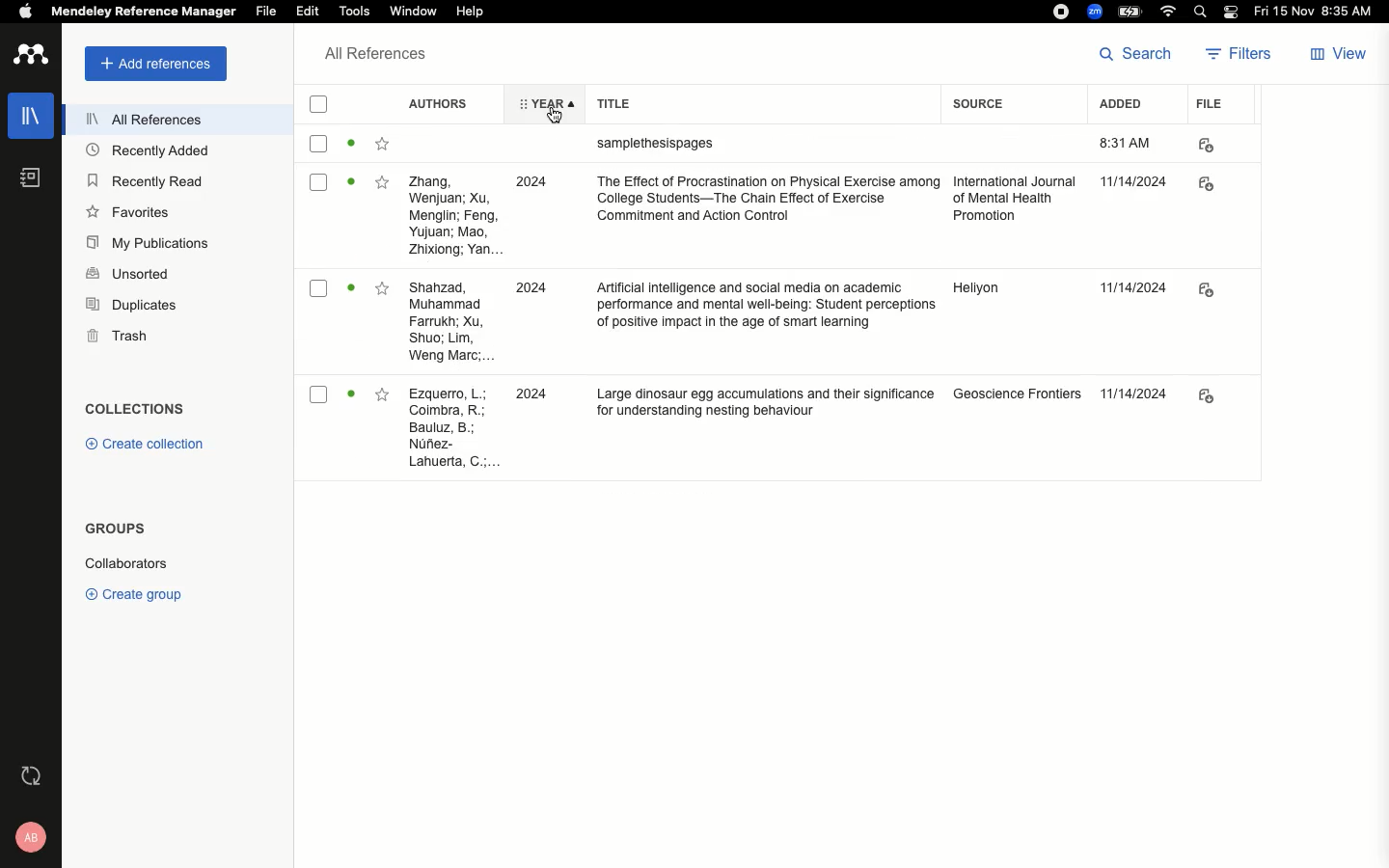  I want to click on Favorites, so click(125, 212).